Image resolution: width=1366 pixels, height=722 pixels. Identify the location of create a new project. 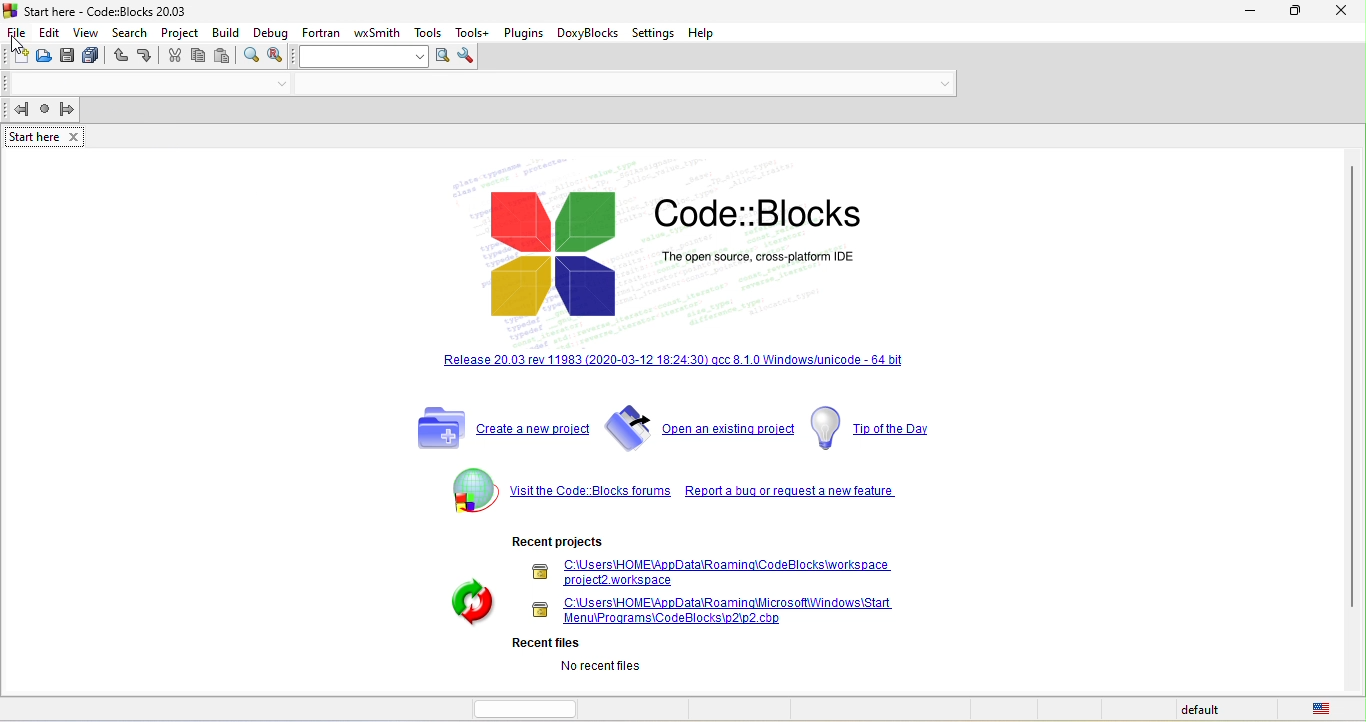
(498, 428).